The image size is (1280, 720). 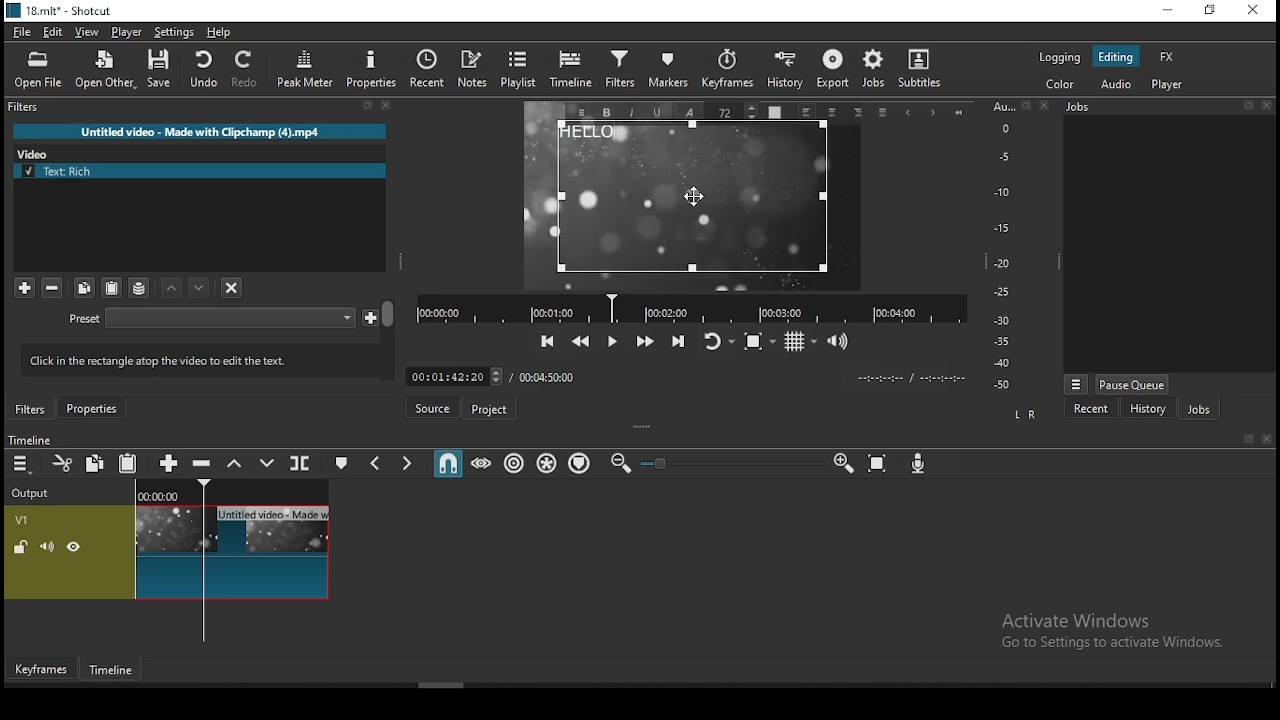 What do you see at coordinates (647, 340) in the screenshot?
I see `play quickly forwards` at bounding box center [647, 340].